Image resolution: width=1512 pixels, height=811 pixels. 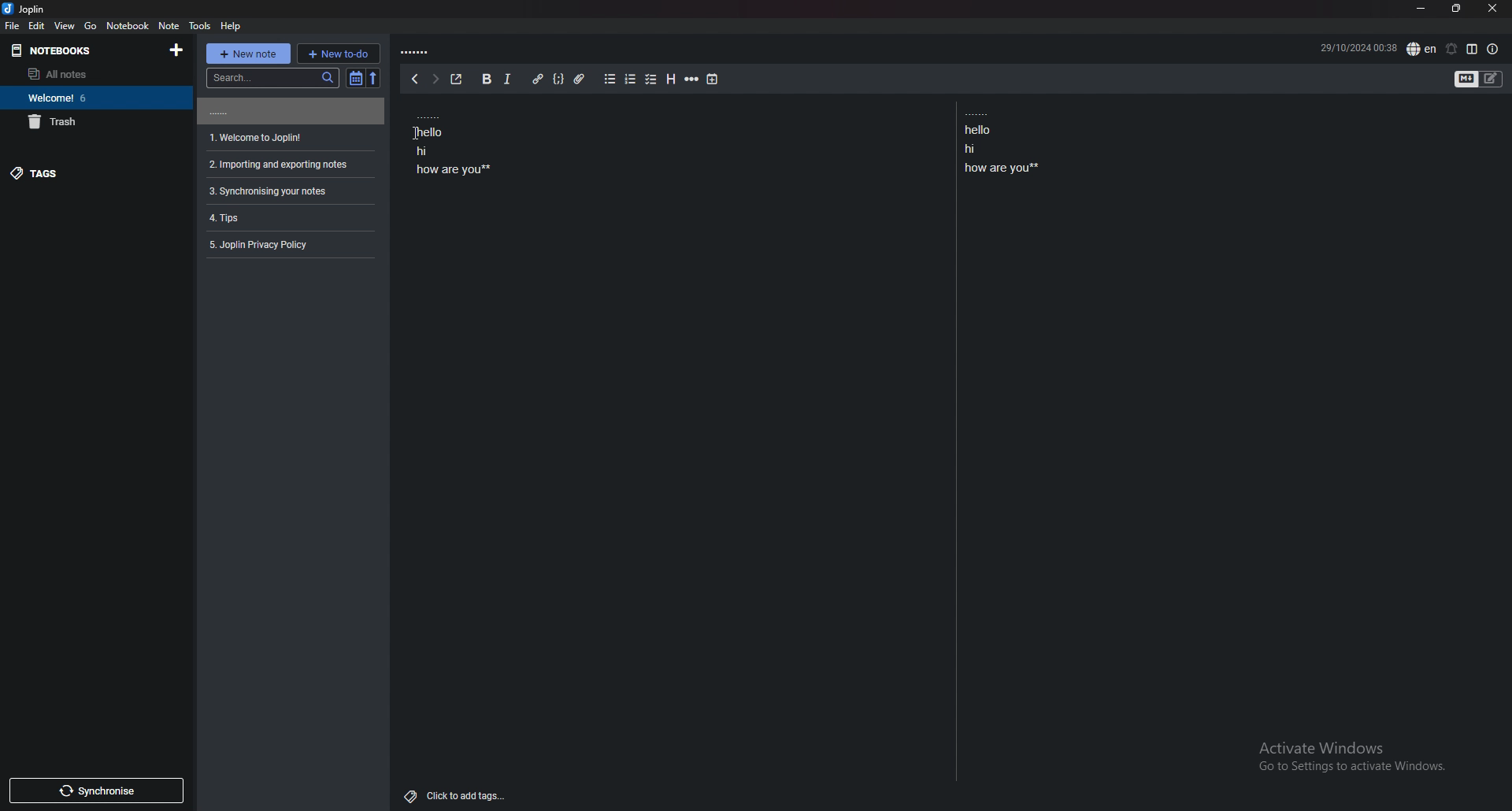 I want to click on toggle editors, so click(x=1467, y=80).